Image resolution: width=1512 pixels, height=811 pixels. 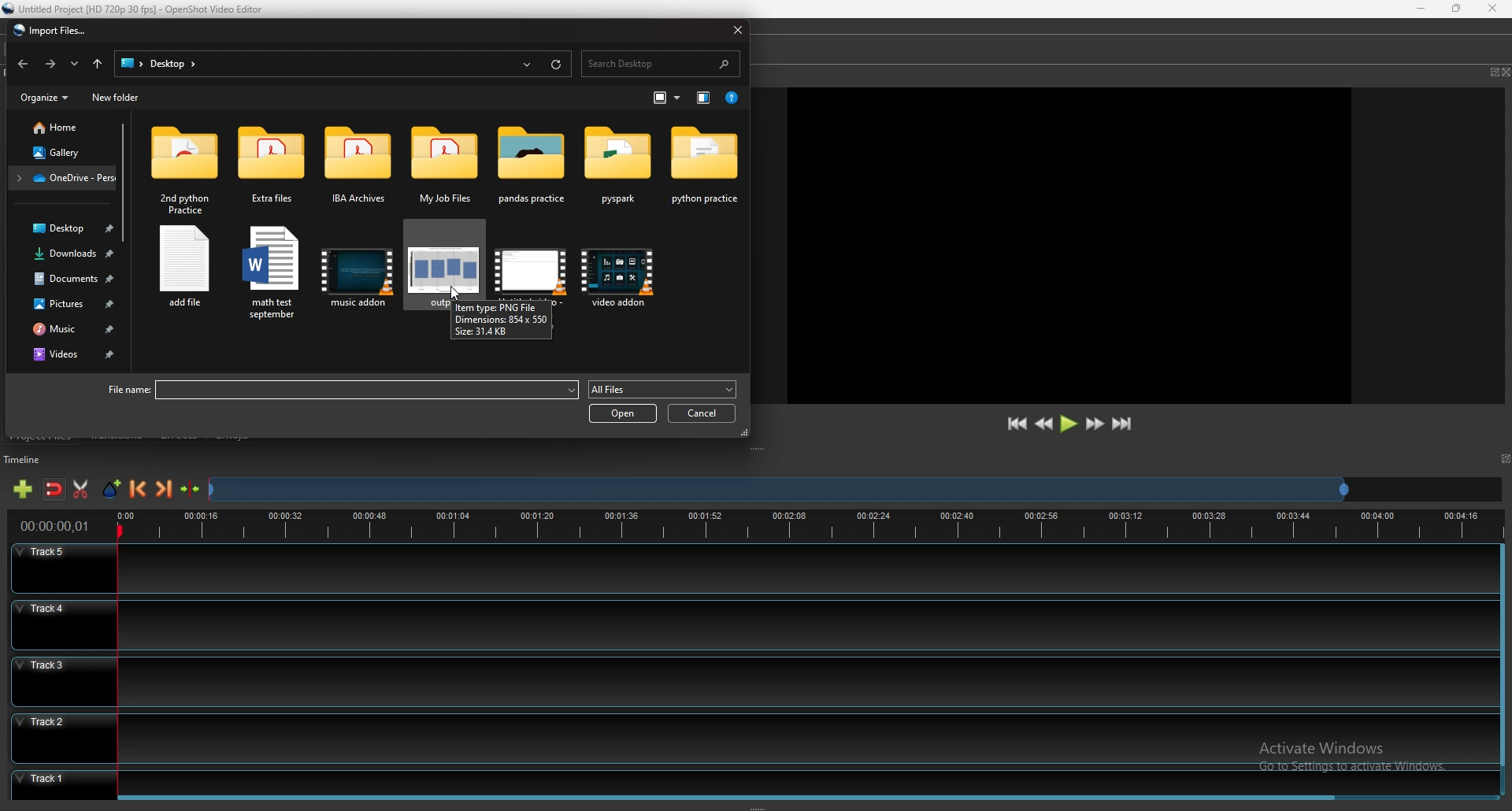 I want to click on open, so click(x=622, y=413).